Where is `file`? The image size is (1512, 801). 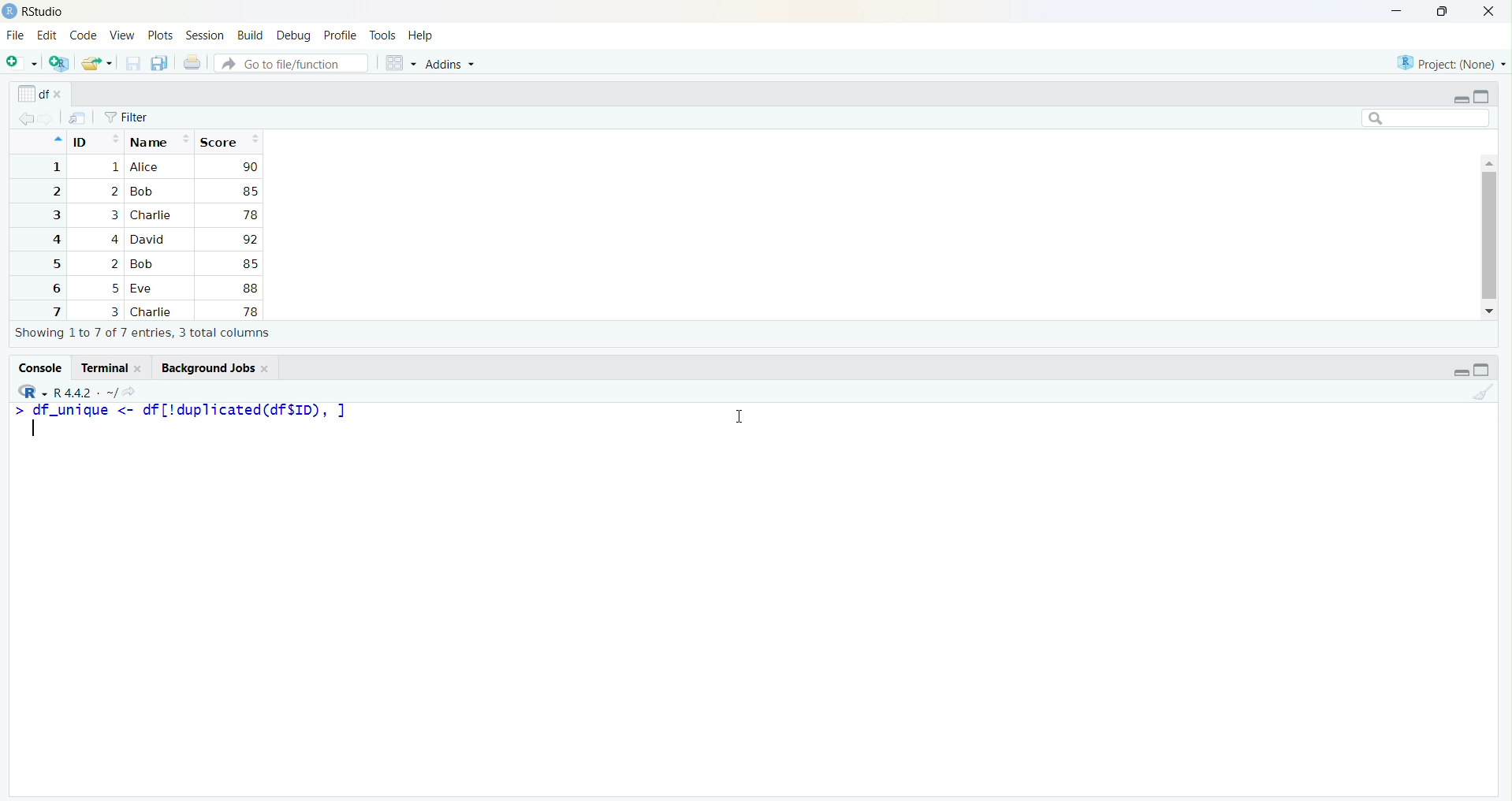 file is located at coordinates (78, 118).